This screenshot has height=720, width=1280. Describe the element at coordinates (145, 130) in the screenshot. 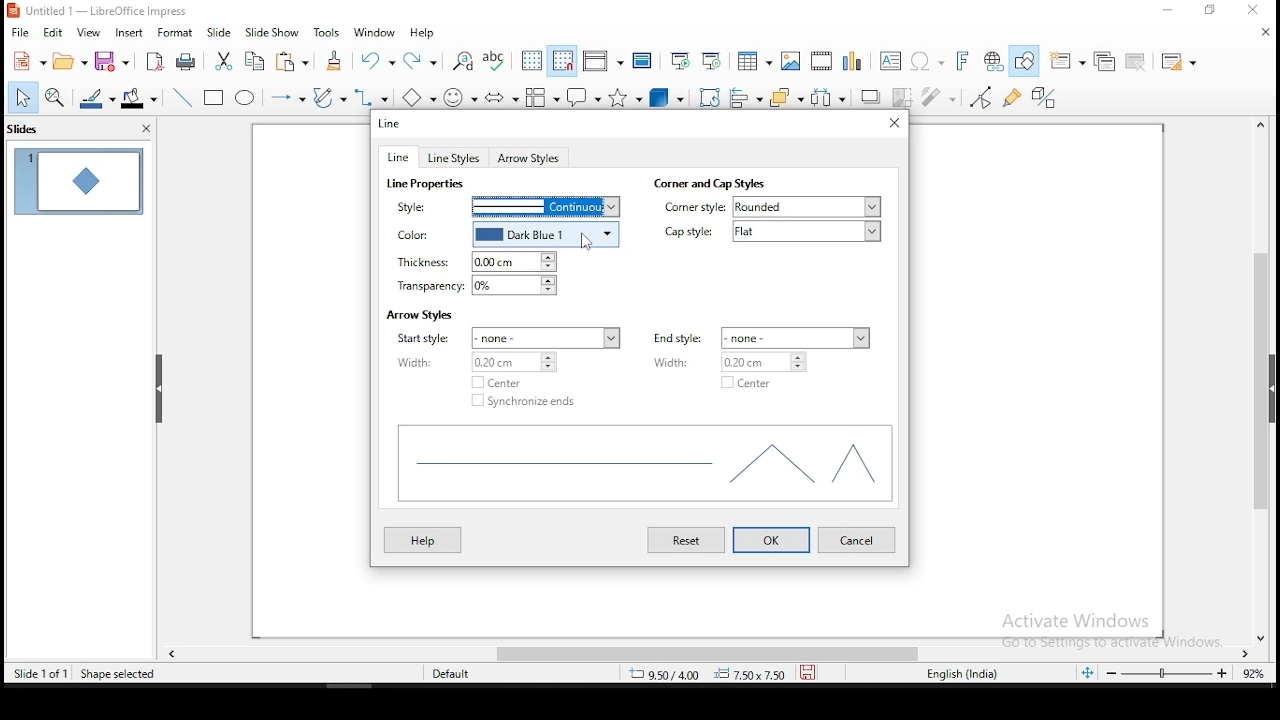

I see `close` at that location.